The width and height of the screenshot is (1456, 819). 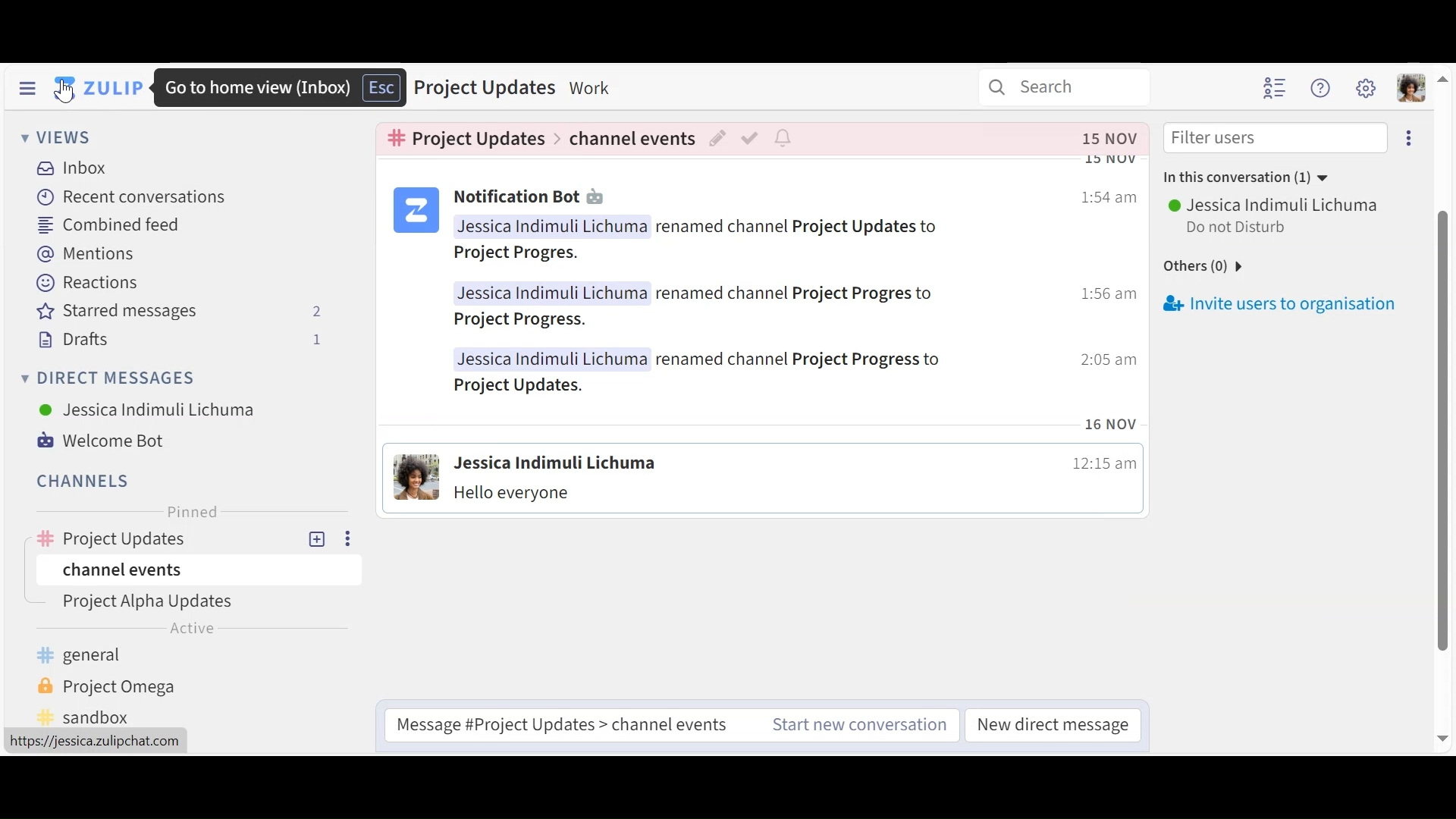 What do you see at coordinates (151, 409) in the screenshot?
I see `Jessica Indimuli Lichuma` at bounding box center [151, 409].